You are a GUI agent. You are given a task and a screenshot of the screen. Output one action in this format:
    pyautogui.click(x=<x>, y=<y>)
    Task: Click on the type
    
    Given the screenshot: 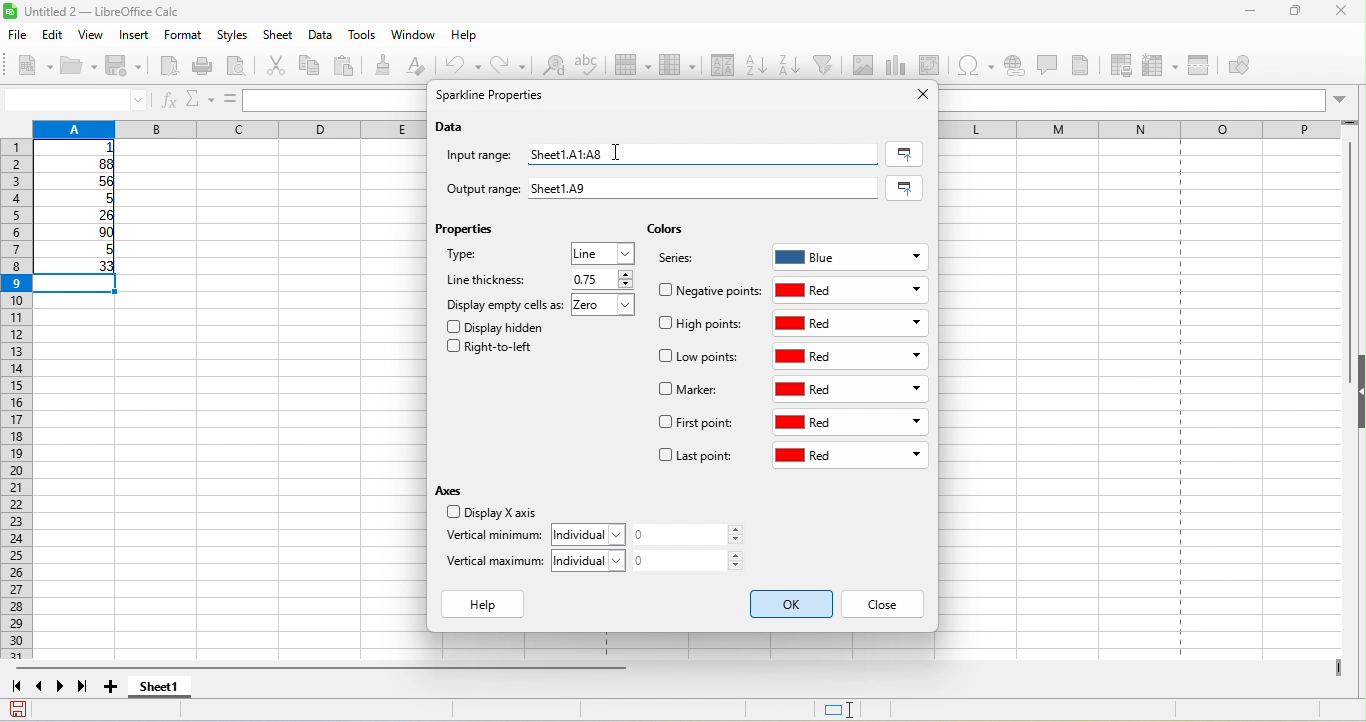 What is the action you would take?
    pyautogui.click(x=486, y=258)
    